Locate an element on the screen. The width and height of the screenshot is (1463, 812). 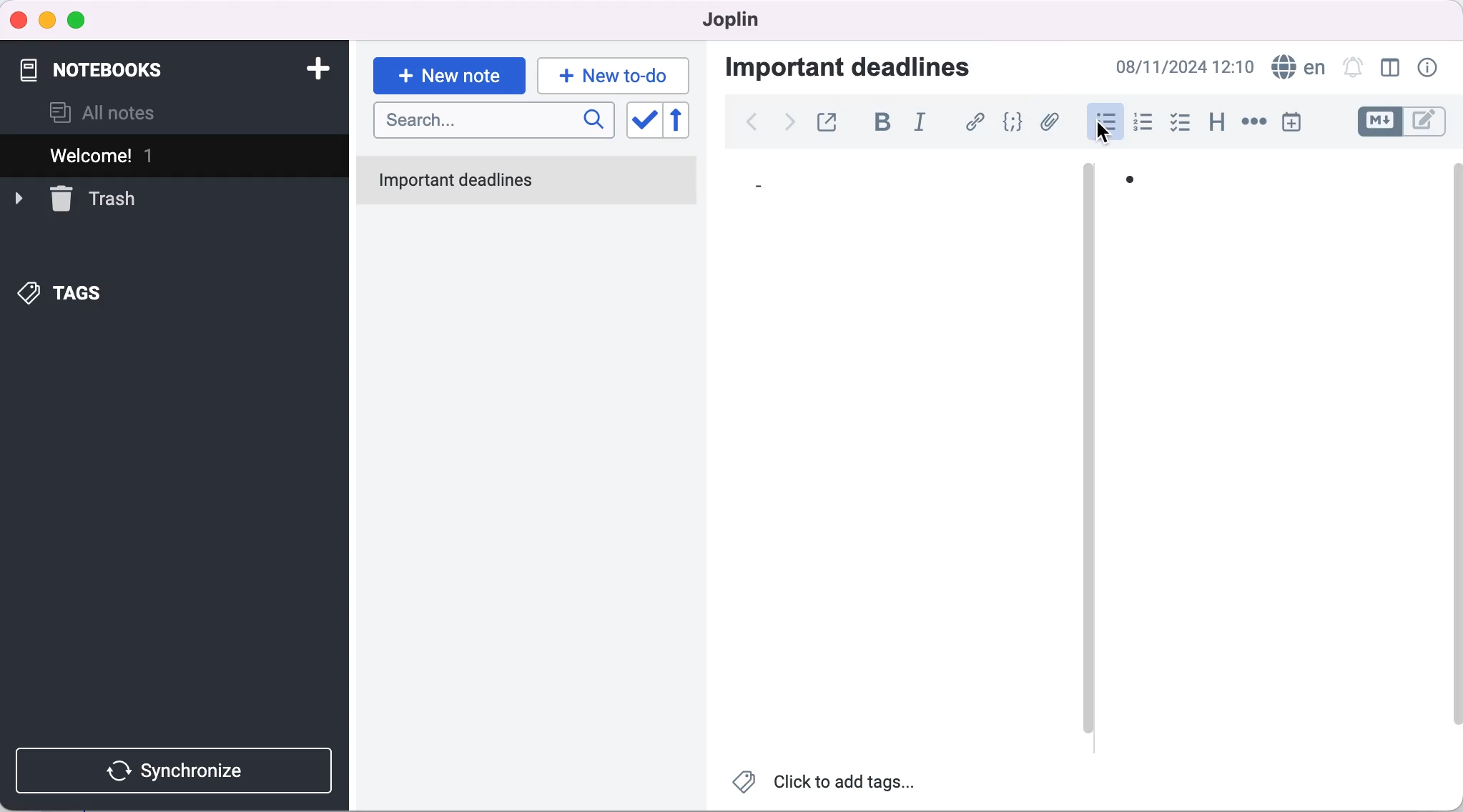
code is located at coordinates (1013, 123).